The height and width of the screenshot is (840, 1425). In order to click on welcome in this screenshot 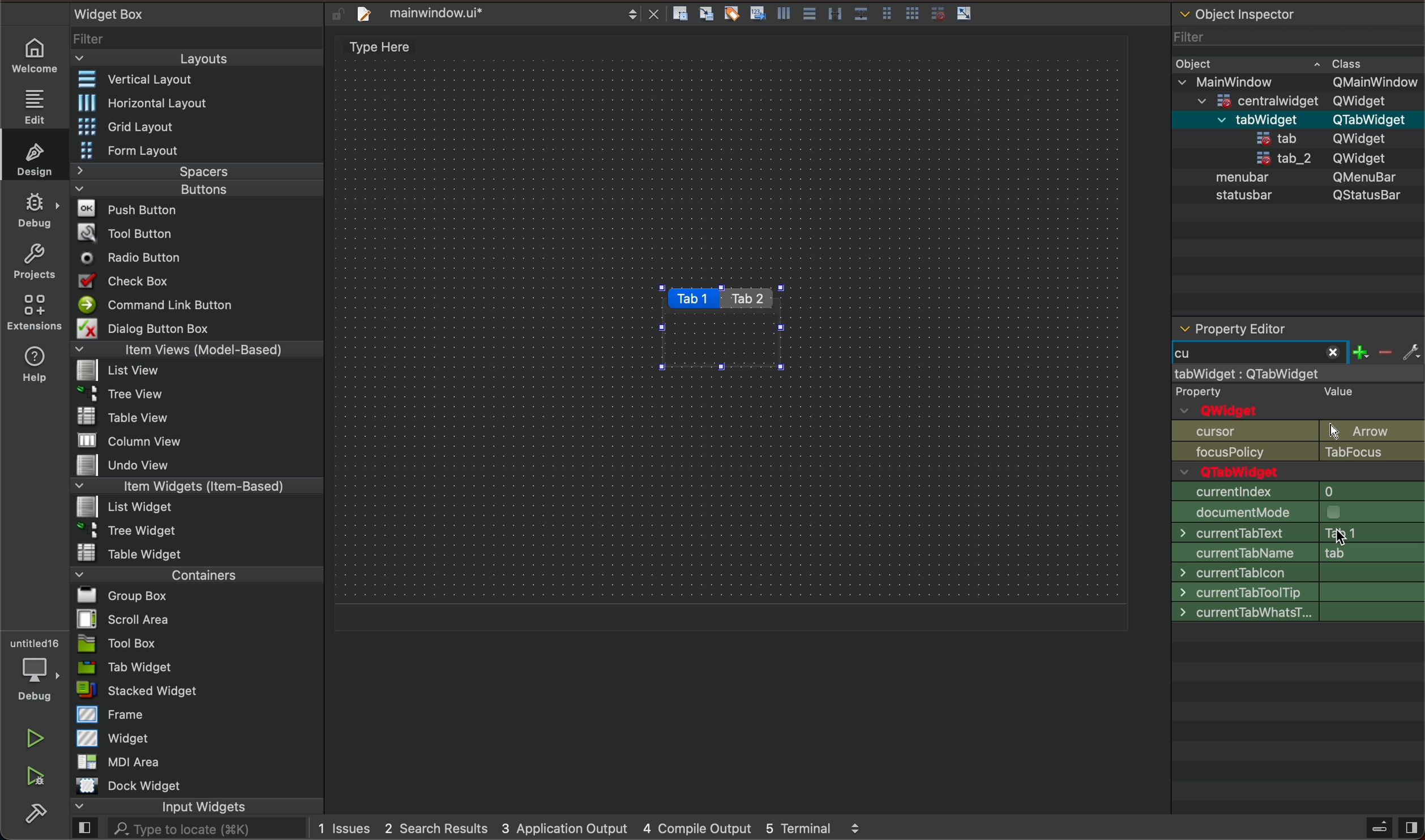, I will do `click(32, 56)`.